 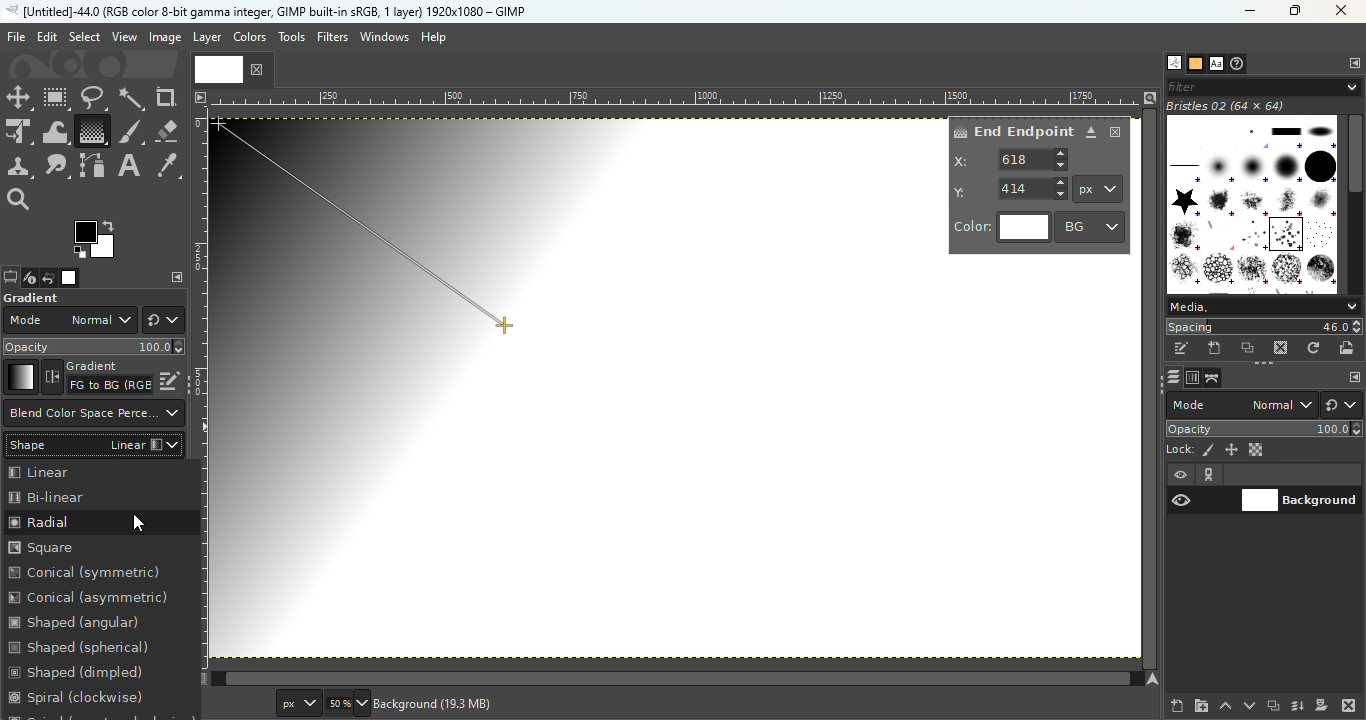 What do you see at coordinates (295, 704) in the screenshot?
I see `Ruler measurement` at bounding box center [295, 704].